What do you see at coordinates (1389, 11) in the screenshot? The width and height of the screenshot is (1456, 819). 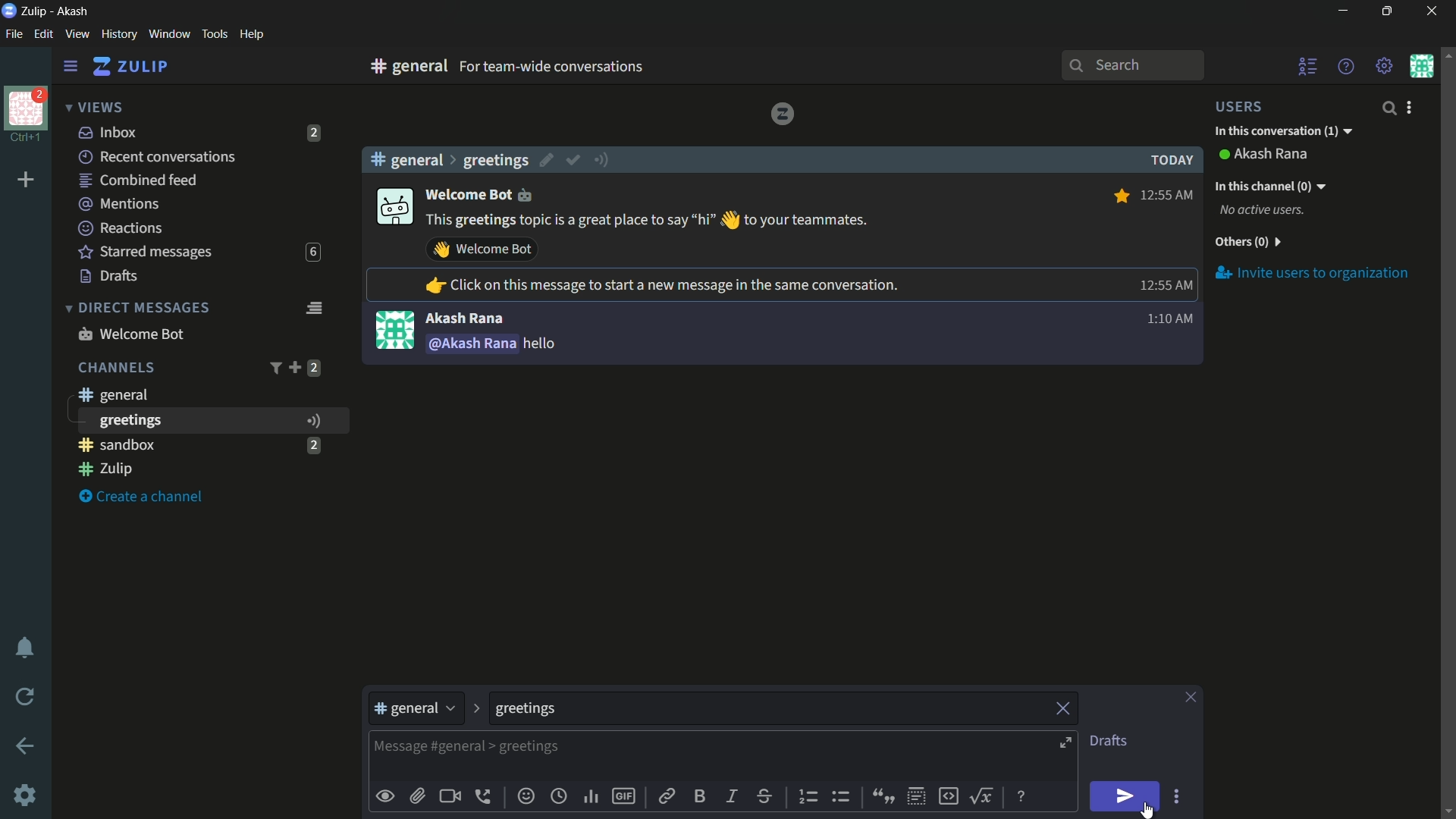 I see `maximize or restore` at bounding box center [1389, 11].